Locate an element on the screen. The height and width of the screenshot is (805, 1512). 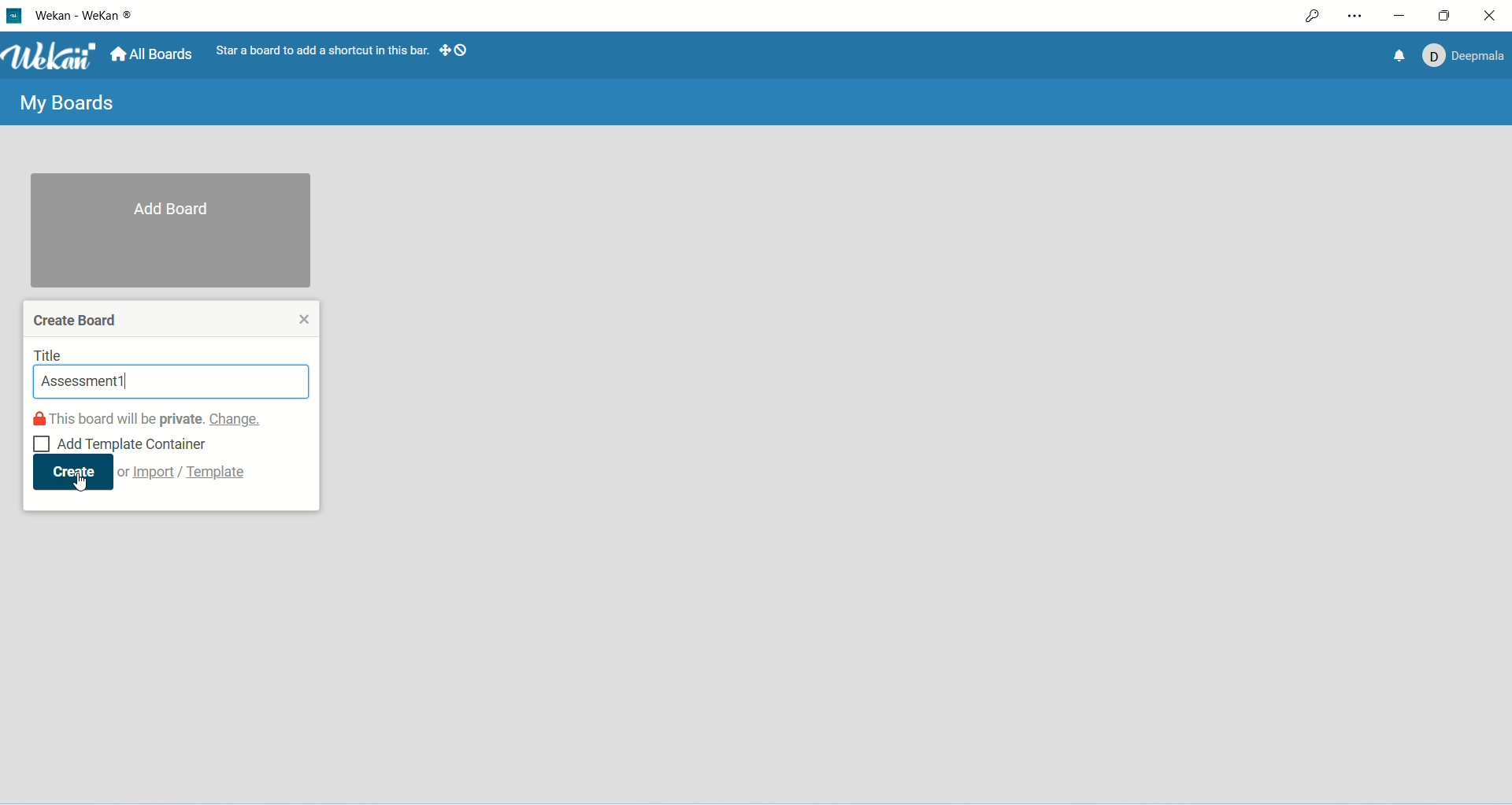
My boards is located at coordinates (68, 106).